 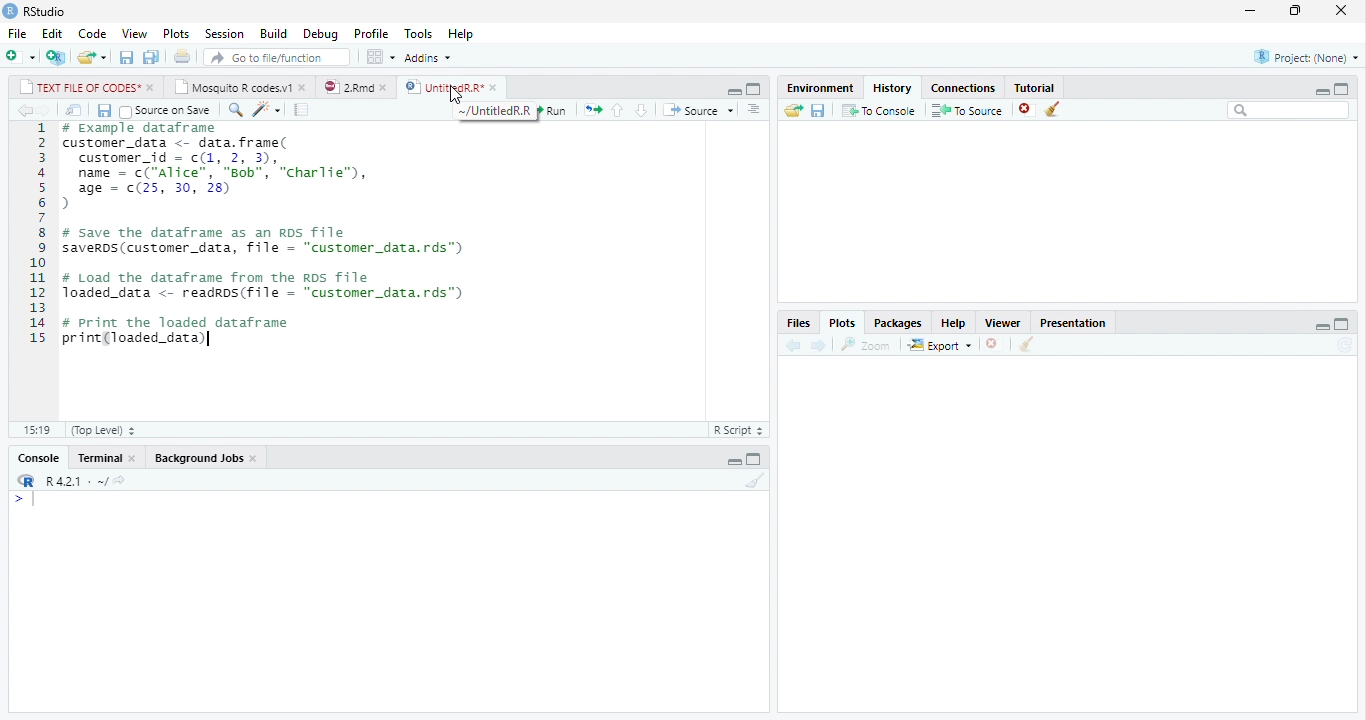 I want to click on Help, so click(x=462, y=34).